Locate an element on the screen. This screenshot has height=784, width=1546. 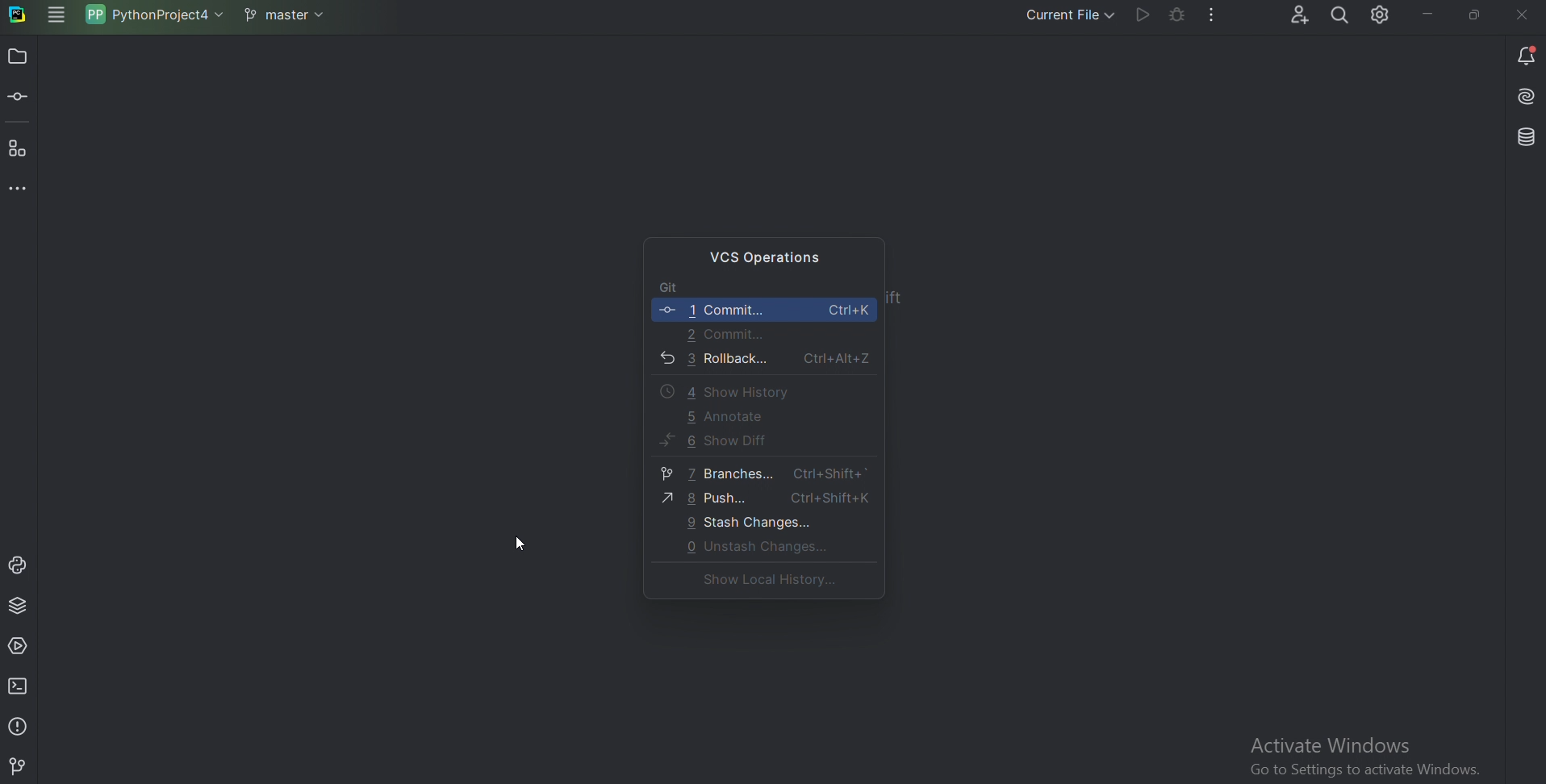
Commit is located at coordinates (20, 99).